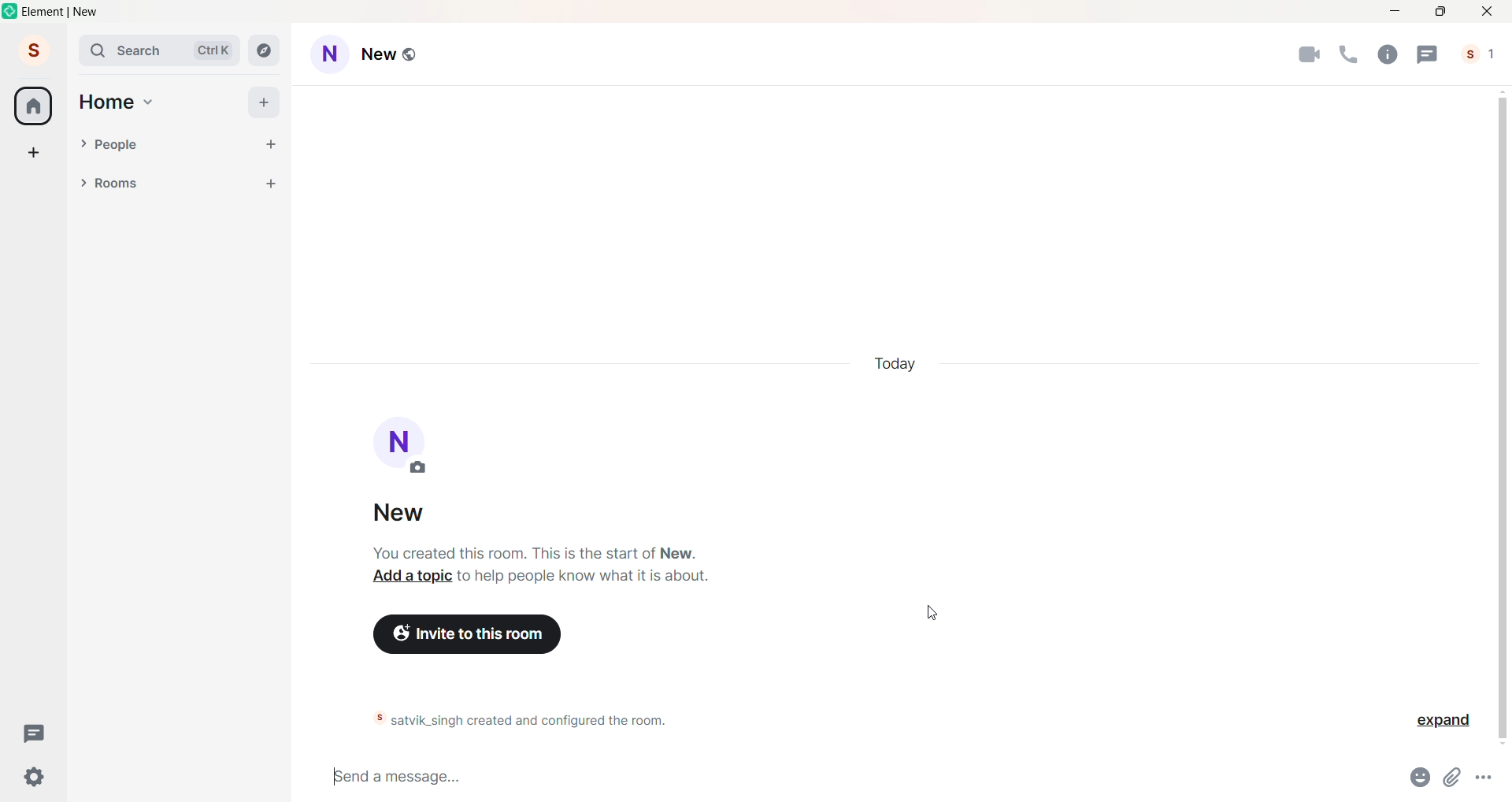 The height and width of the screenshot is (802, 1512). What do you see at coordinates (856, 776) in the screenshot?
I see `send a Message` at bounding box center [856, 776].